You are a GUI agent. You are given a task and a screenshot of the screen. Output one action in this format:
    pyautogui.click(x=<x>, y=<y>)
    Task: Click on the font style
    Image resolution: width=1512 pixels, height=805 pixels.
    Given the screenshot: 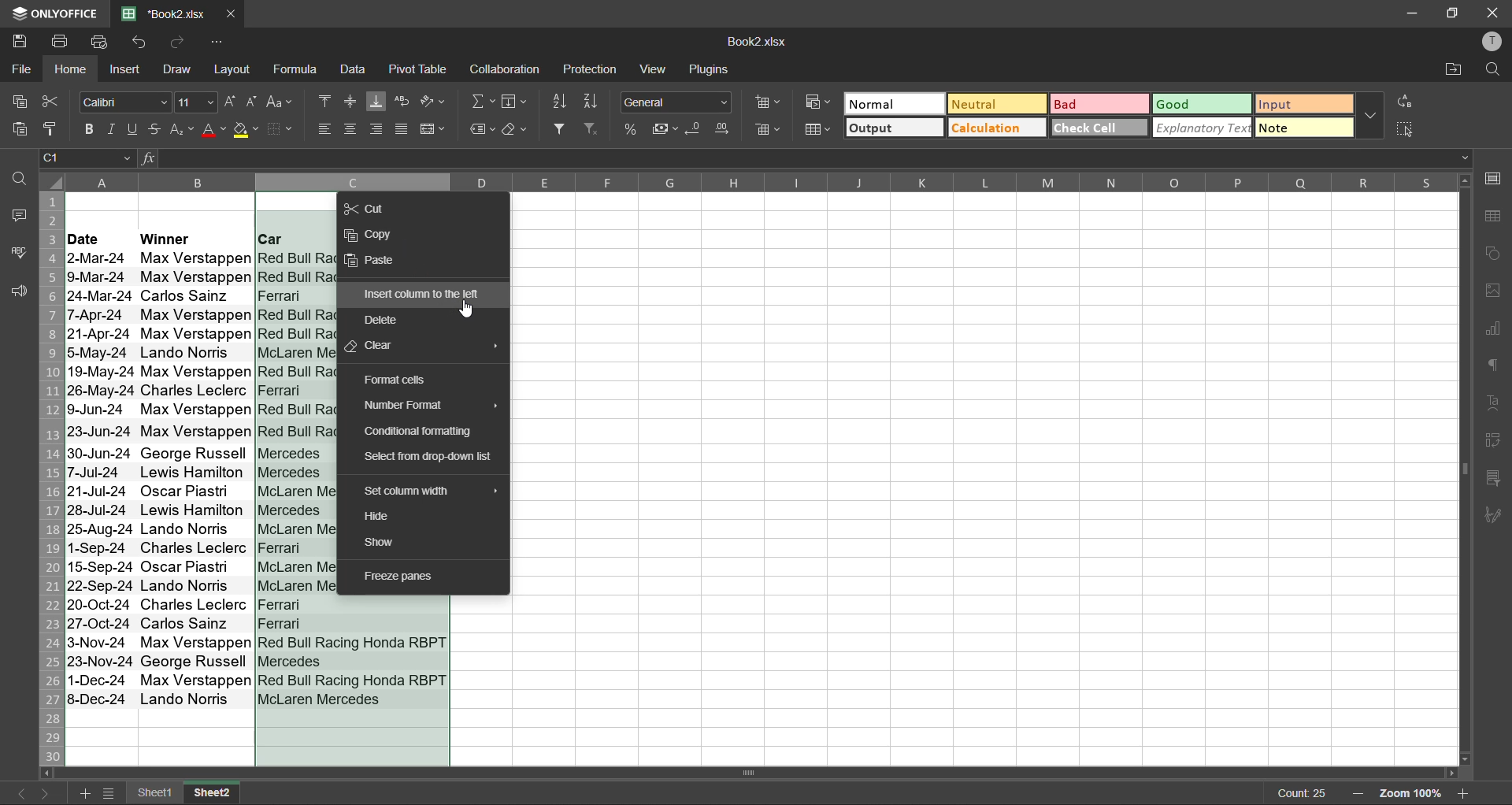 What is the action you would take?
    pyautogui.click(x=125, y=102)
    